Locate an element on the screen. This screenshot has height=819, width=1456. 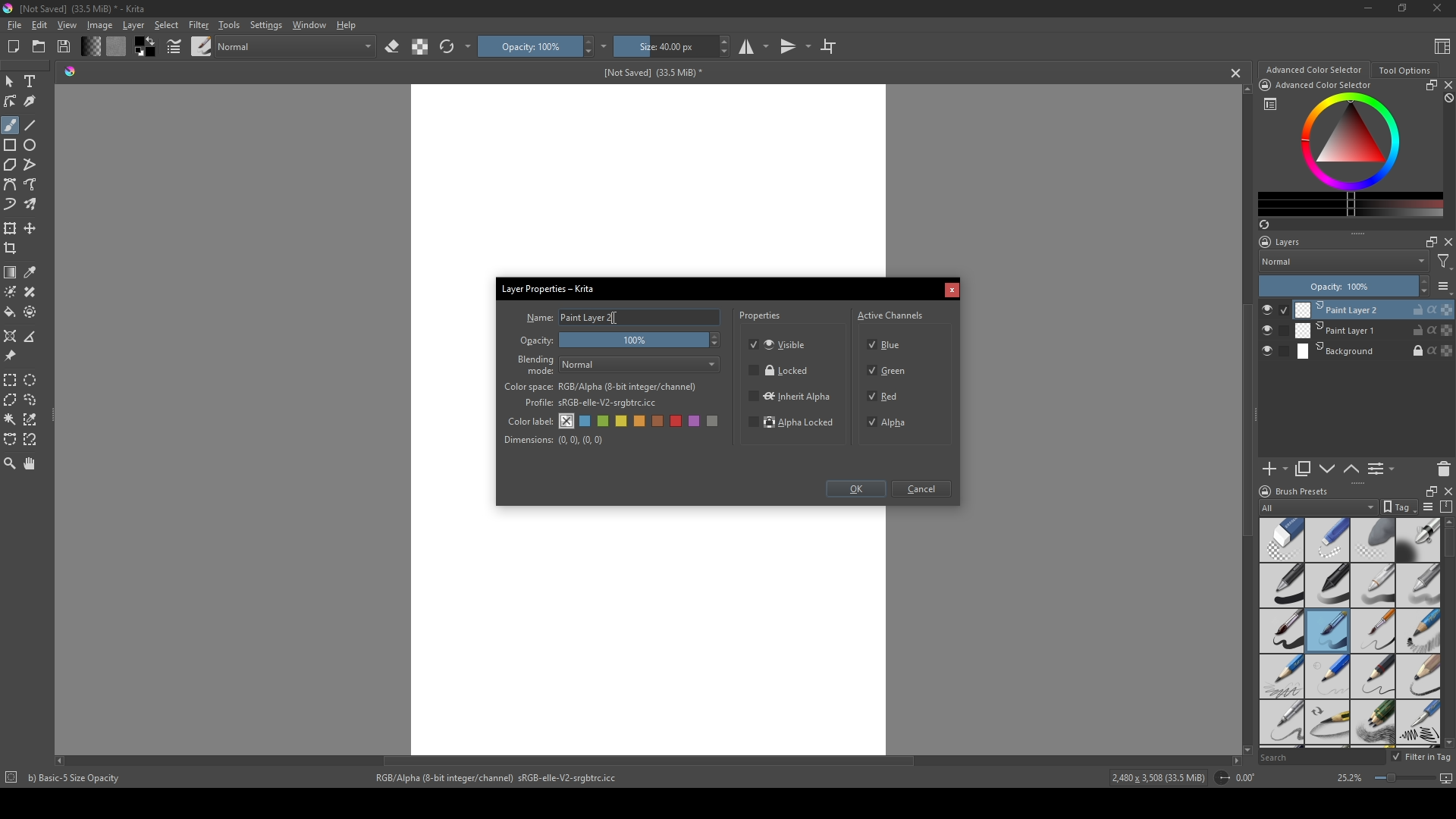
studio mode is located at coordinates (754, 46).